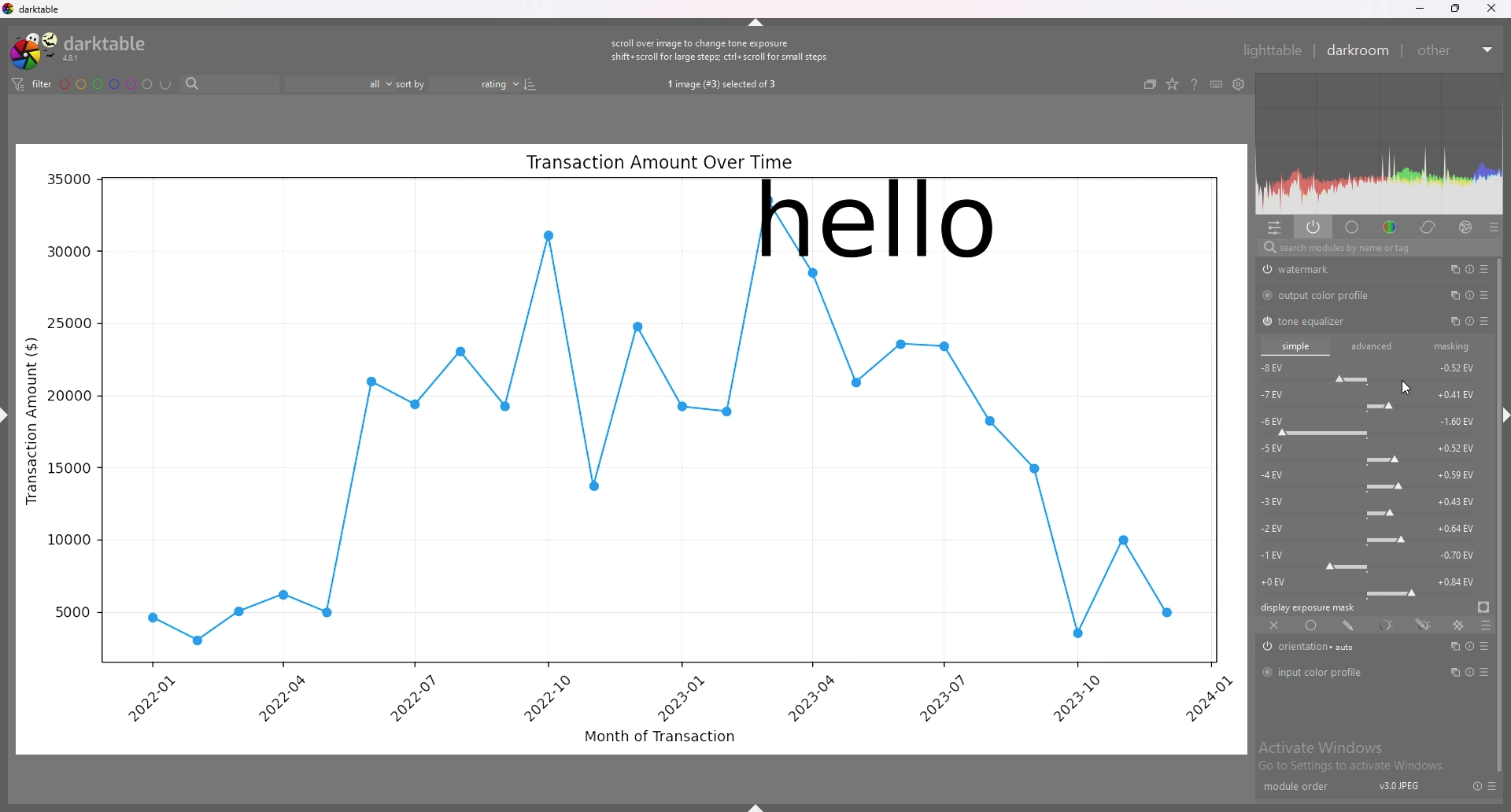 The image size is (1511, 812). I want to click on multiple instance actions, reset and presets, so click(1469, 268).